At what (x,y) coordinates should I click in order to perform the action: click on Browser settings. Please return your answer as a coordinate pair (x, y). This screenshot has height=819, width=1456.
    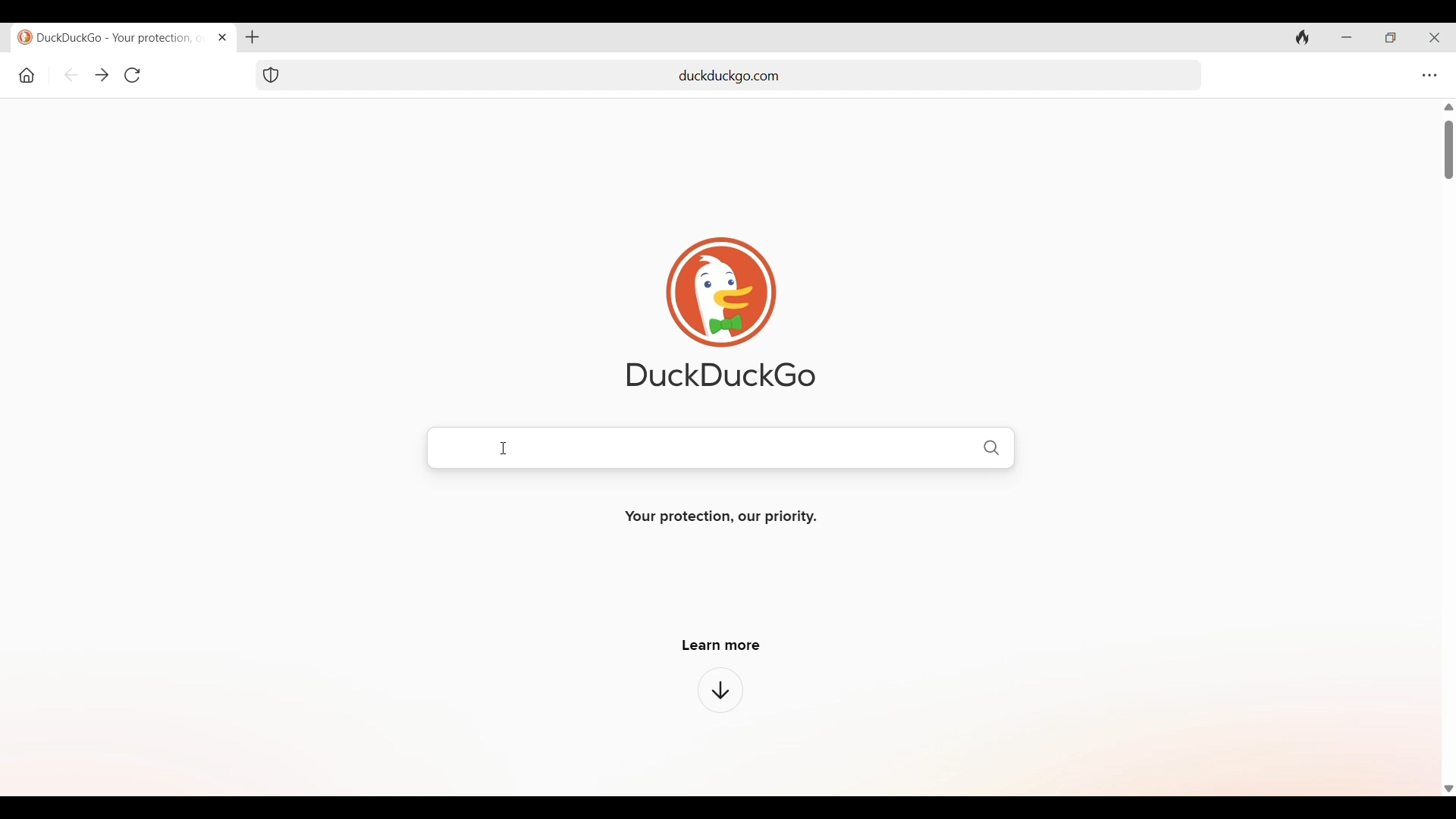
    Looking at the image, I should click on (1429, 76).